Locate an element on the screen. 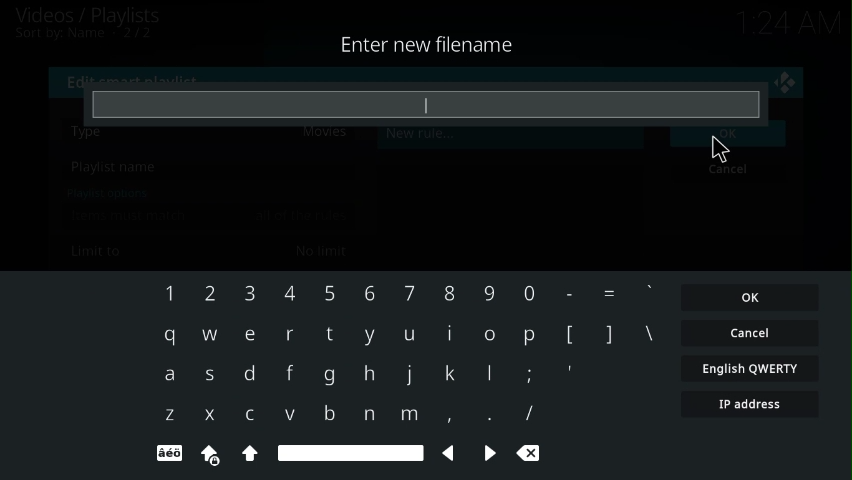  clear is located at coordinates (531, 453).